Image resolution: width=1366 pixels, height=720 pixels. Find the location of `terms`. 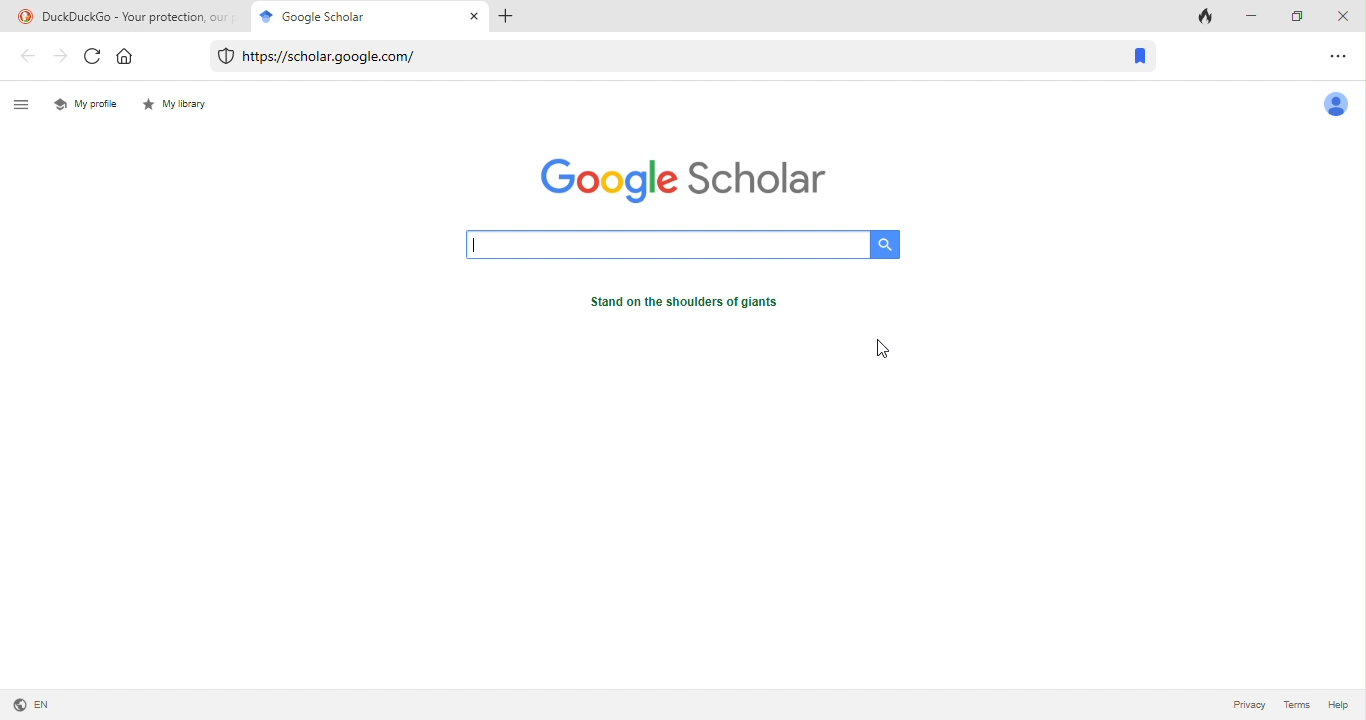

terms is located at coordinates (1296, 707).